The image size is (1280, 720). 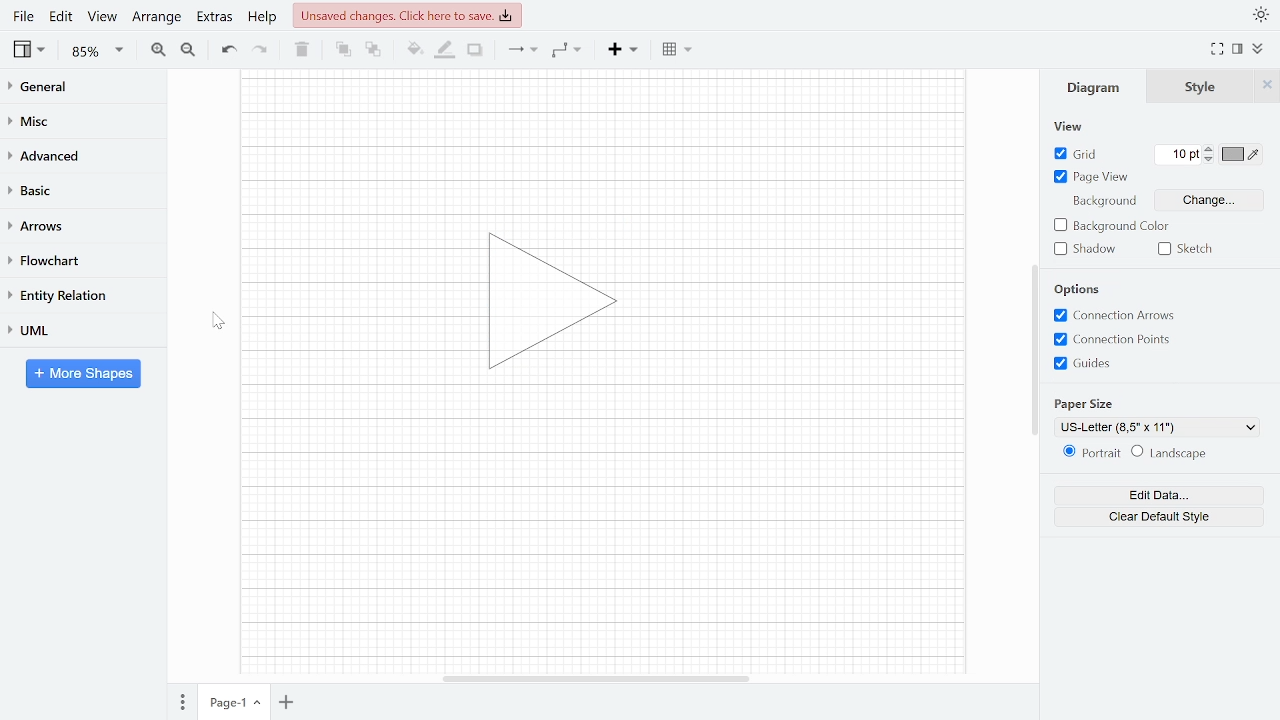 I want to click on Connection, so click(x=522, y=49).